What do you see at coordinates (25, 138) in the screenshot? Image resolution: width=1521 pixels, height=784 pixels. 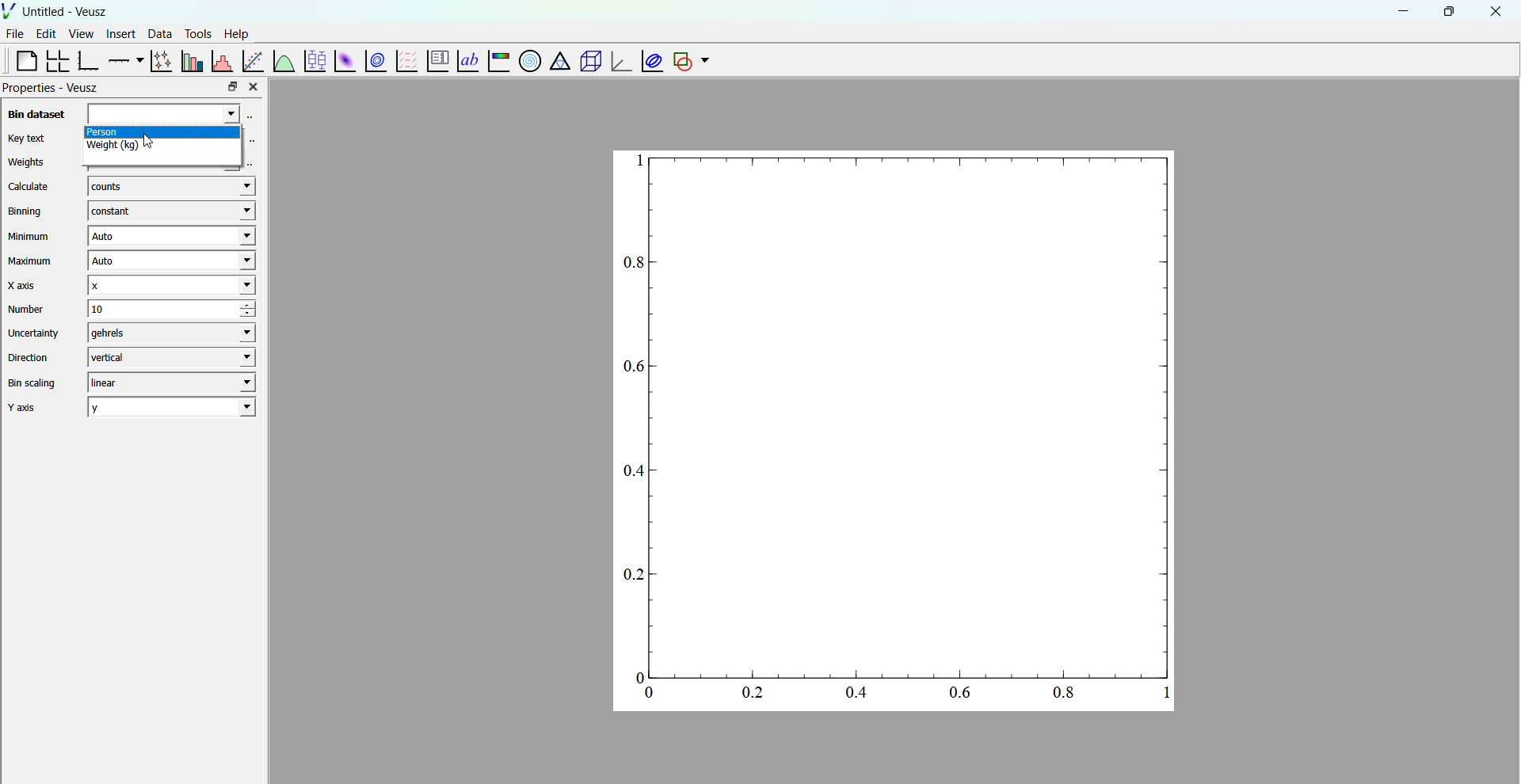 I see `Key text` at bounding box center [25, 138].